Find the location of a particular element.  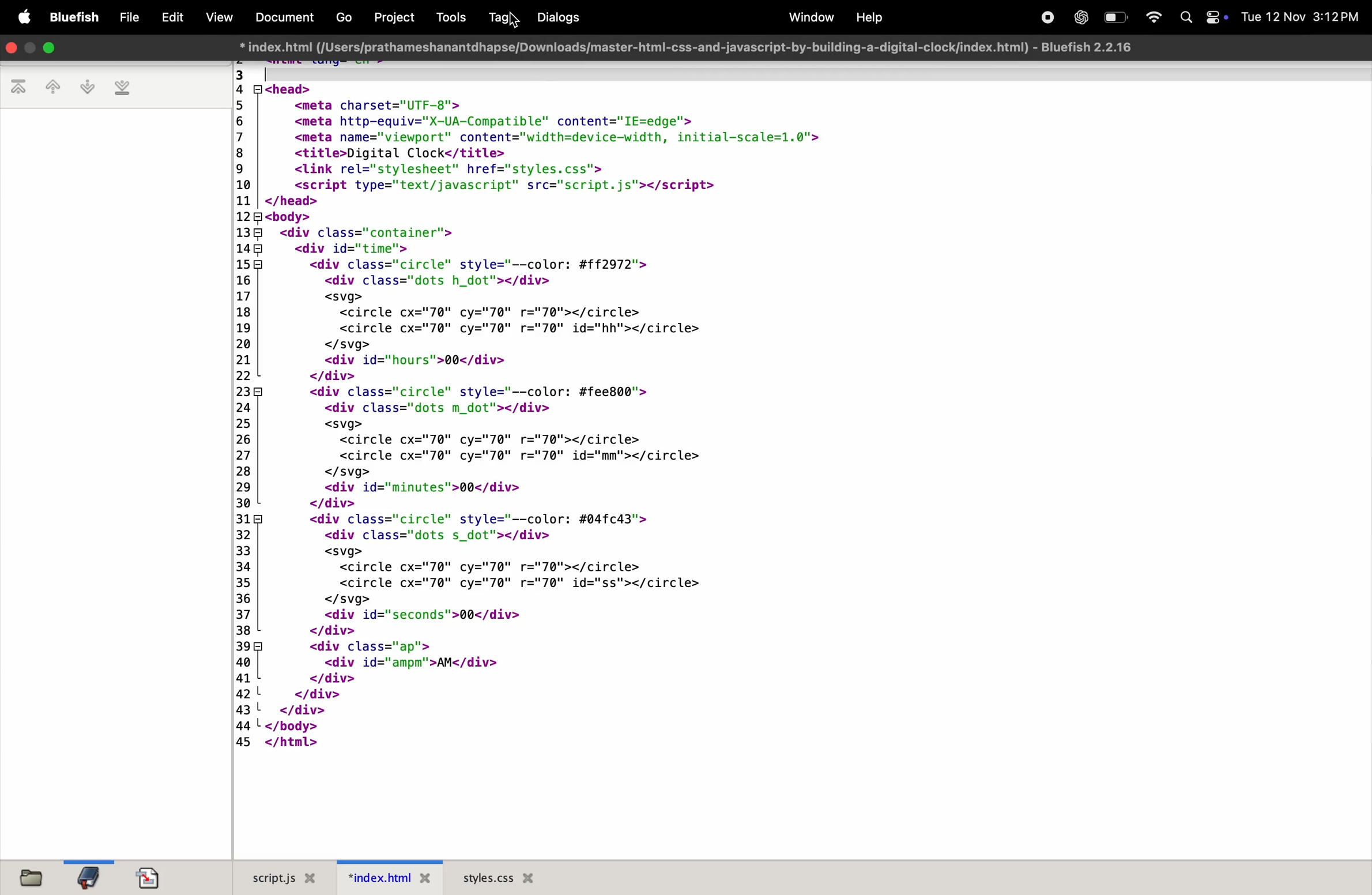

last bookmark is located at coordinates (122, 88).